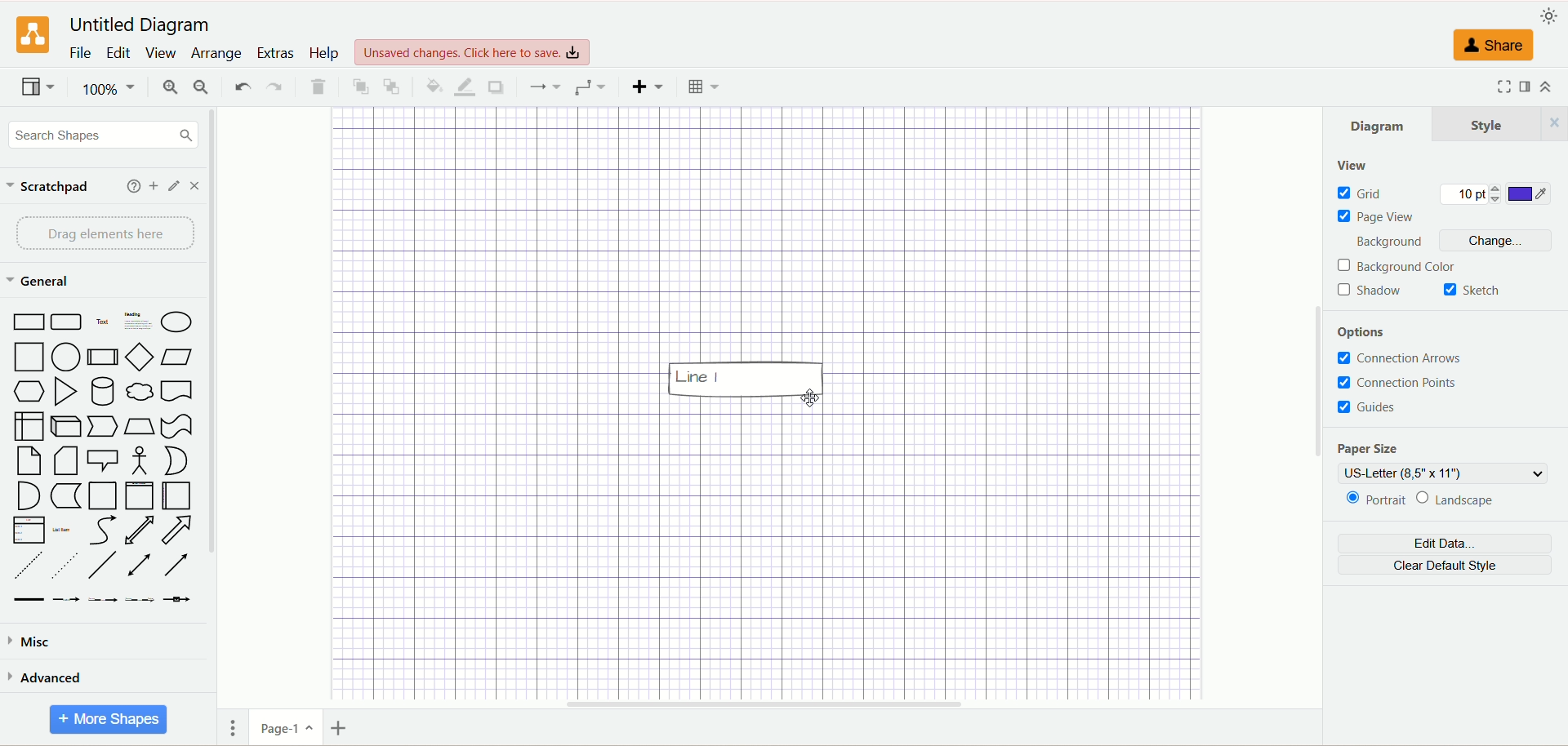  What do you see at coordinates (29, 531) in the screenshot?
I see `List` at bounding box center [29, 531].